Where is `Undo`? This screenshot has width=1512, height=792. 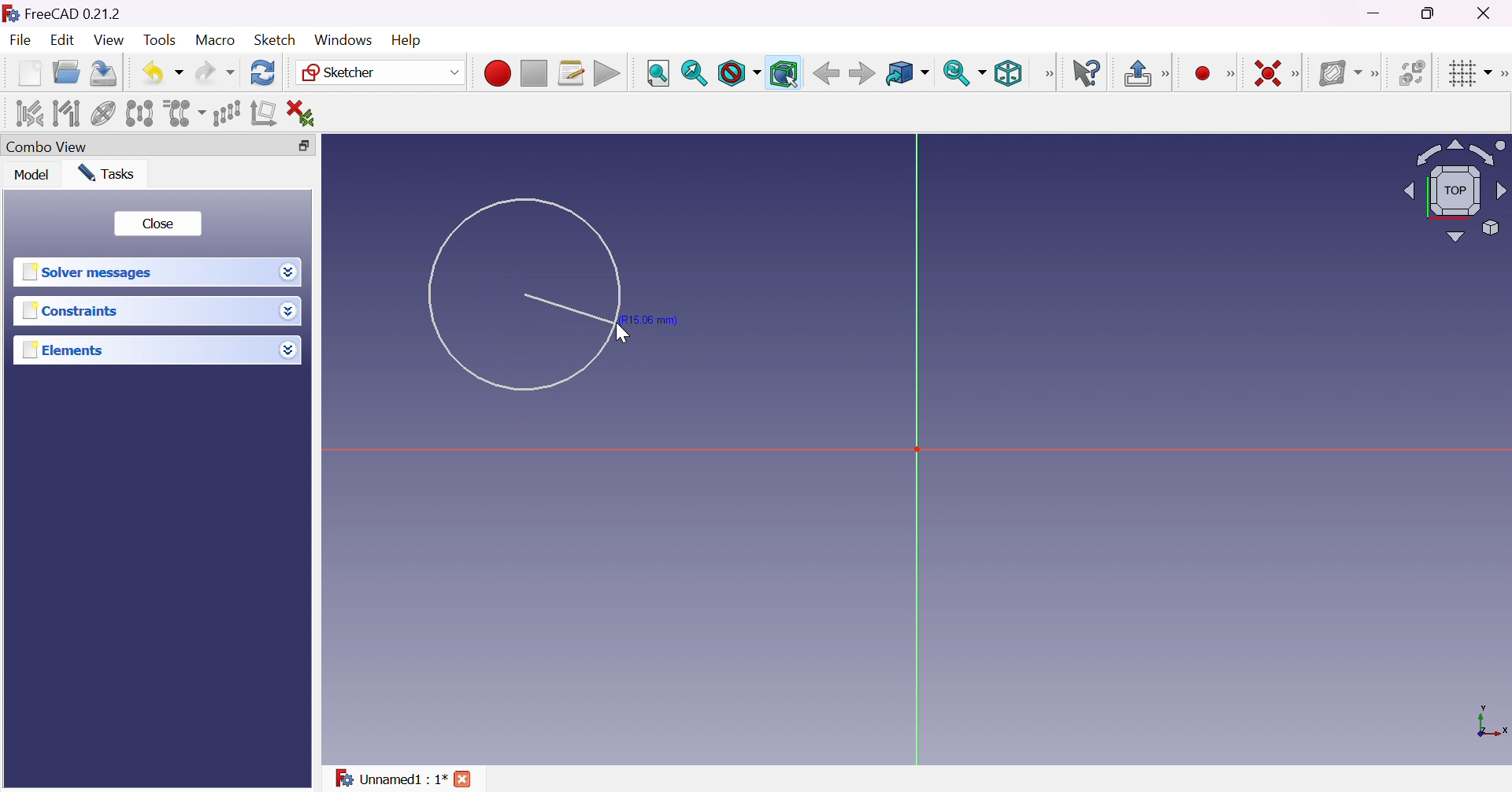
Undo is located at coordinates (163, 72).